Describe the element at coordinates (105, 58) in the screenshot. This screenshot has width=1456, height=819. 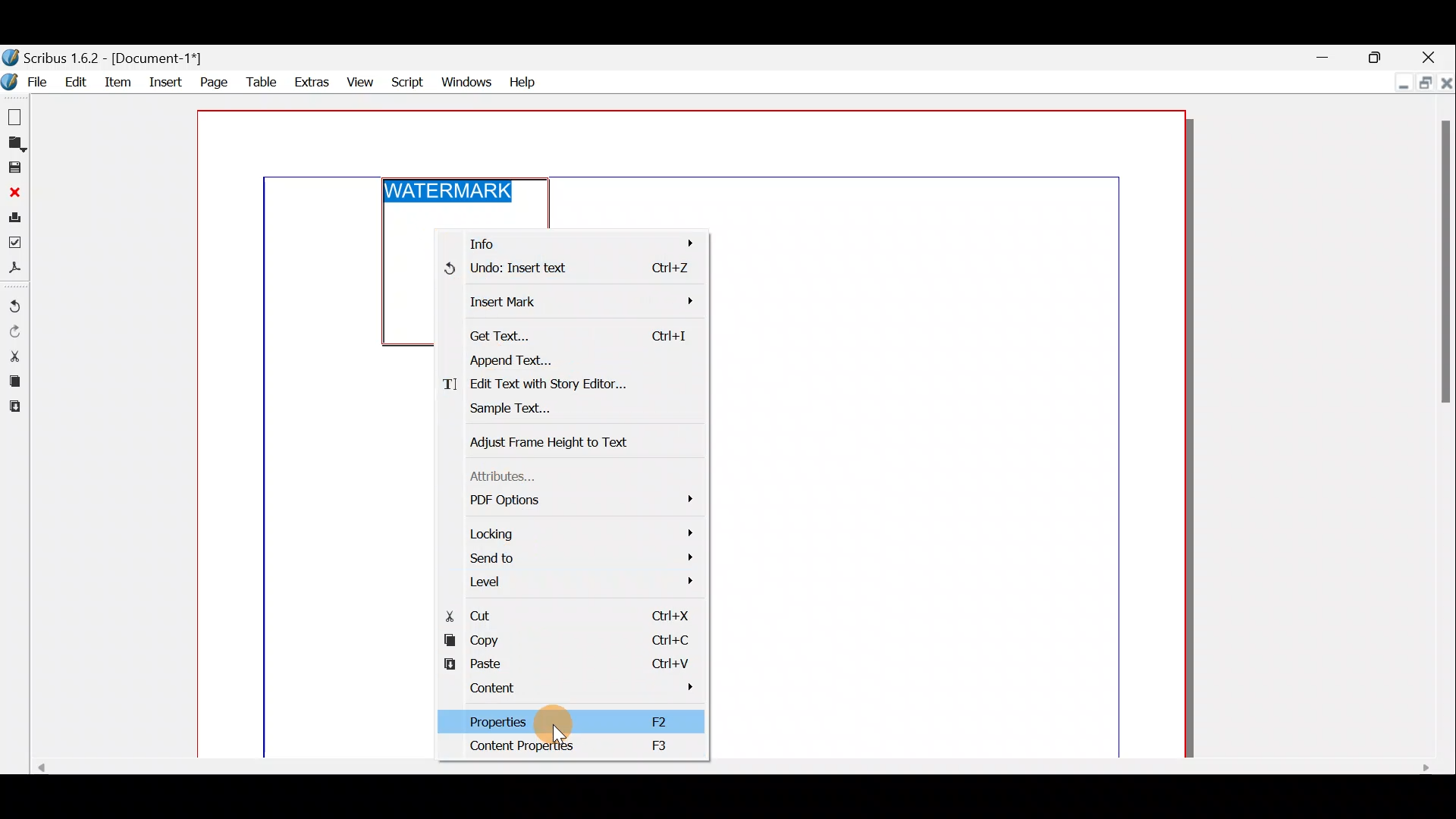
I see `Document name` at that location.